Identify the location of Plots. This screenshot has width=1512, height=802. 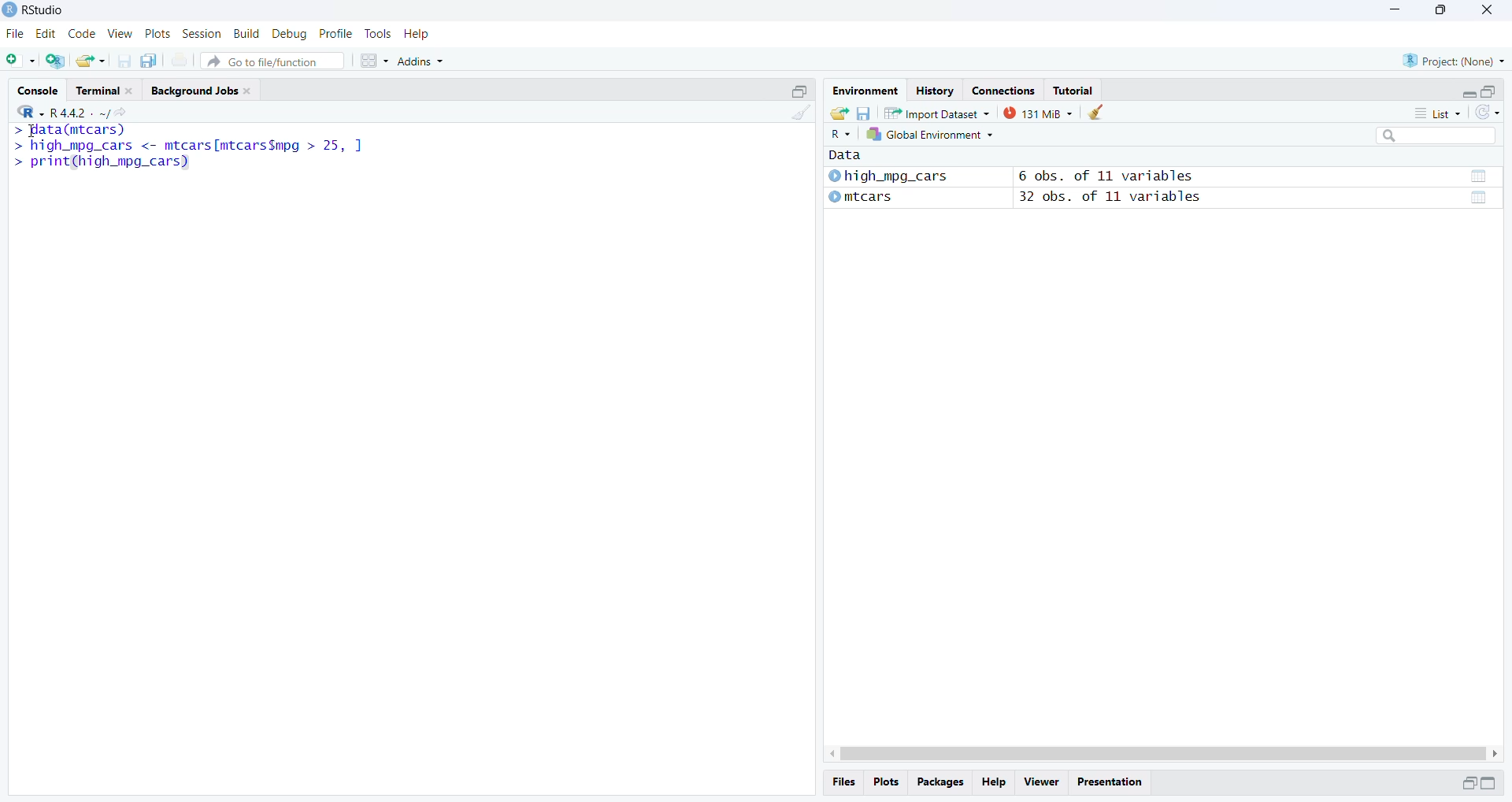
(157, 34).